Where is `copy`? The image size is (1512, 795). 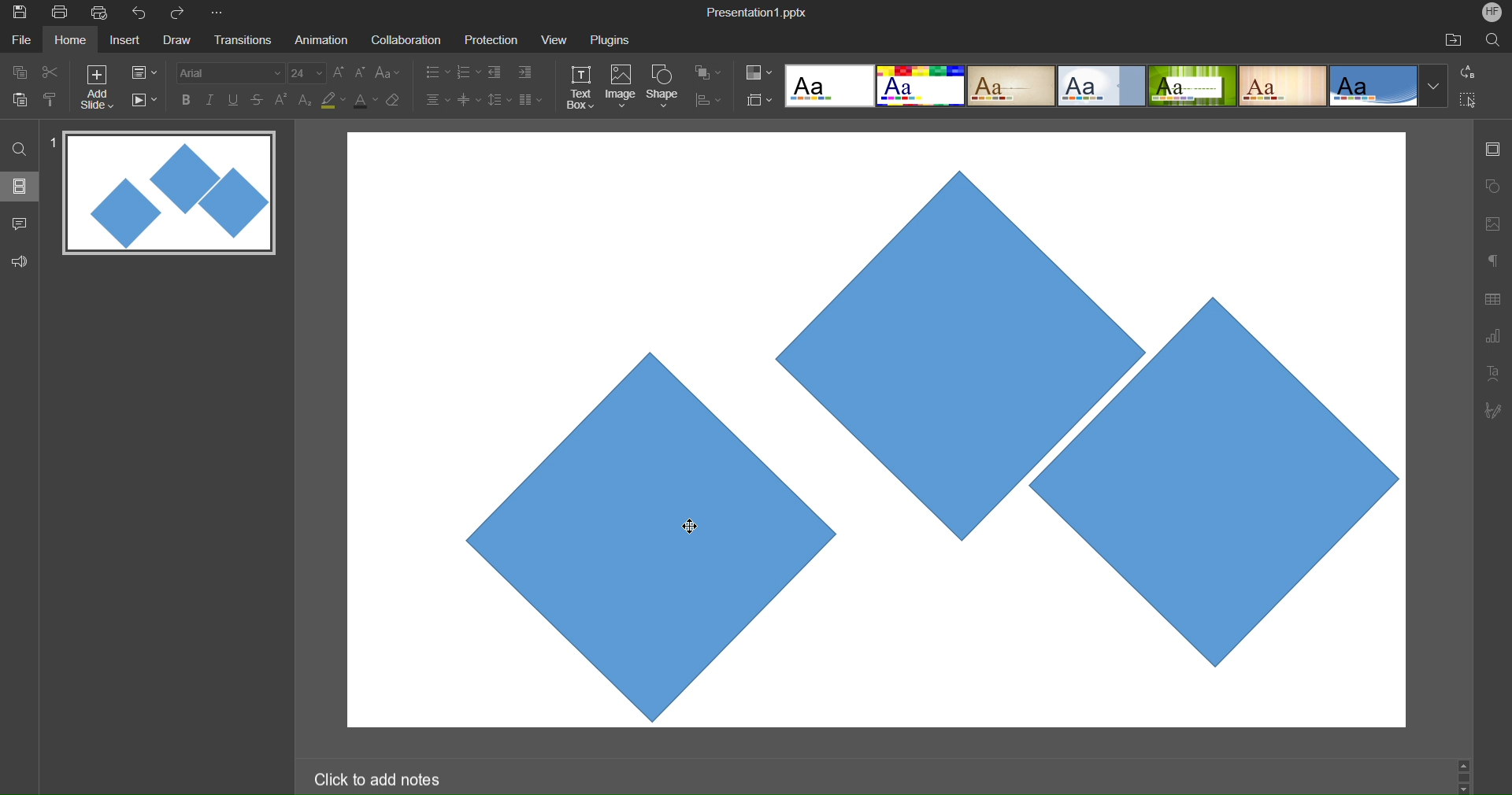
copy is located at coordinates (17, 72).